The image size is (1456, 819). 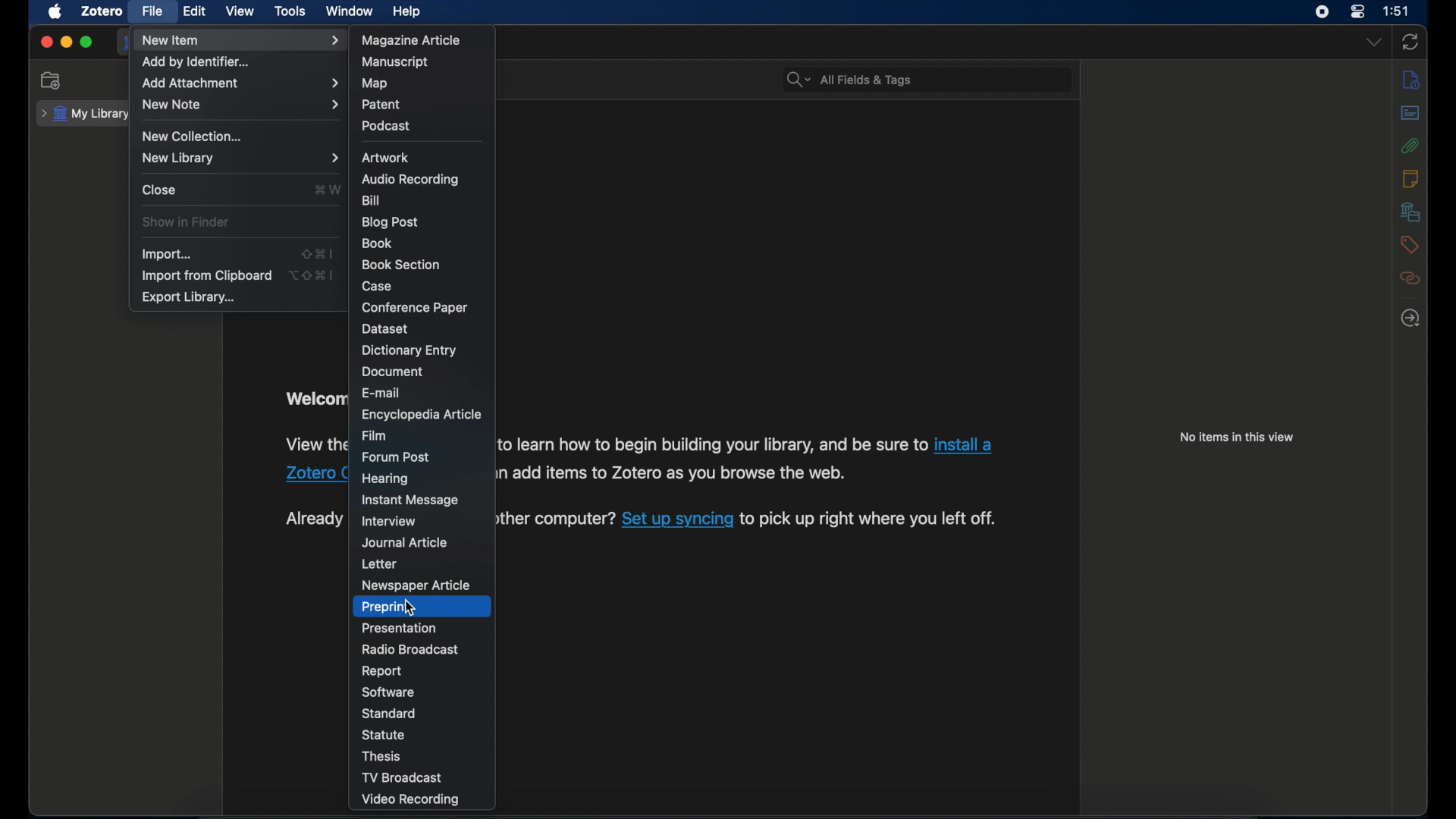 I want to click on podcast, so click(x=386, y=125).